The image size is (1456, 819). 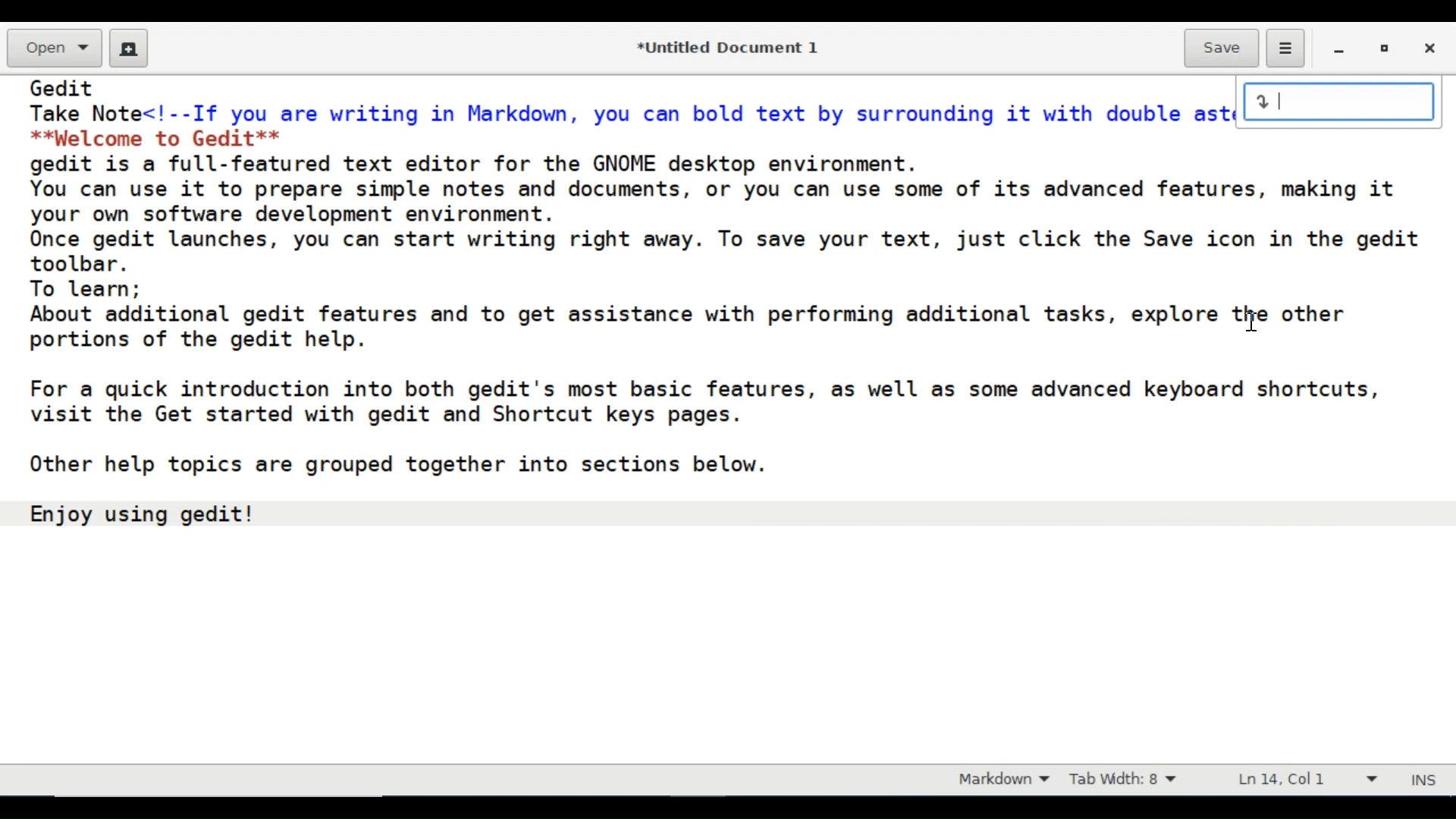 What do you see at coordinates (733, 251) in the screenshot?
I see `Once gedit launches, you can start writing right away. To save your text, just click the Save icon in the gedit toolbar.` at bounding box center [733, 251].